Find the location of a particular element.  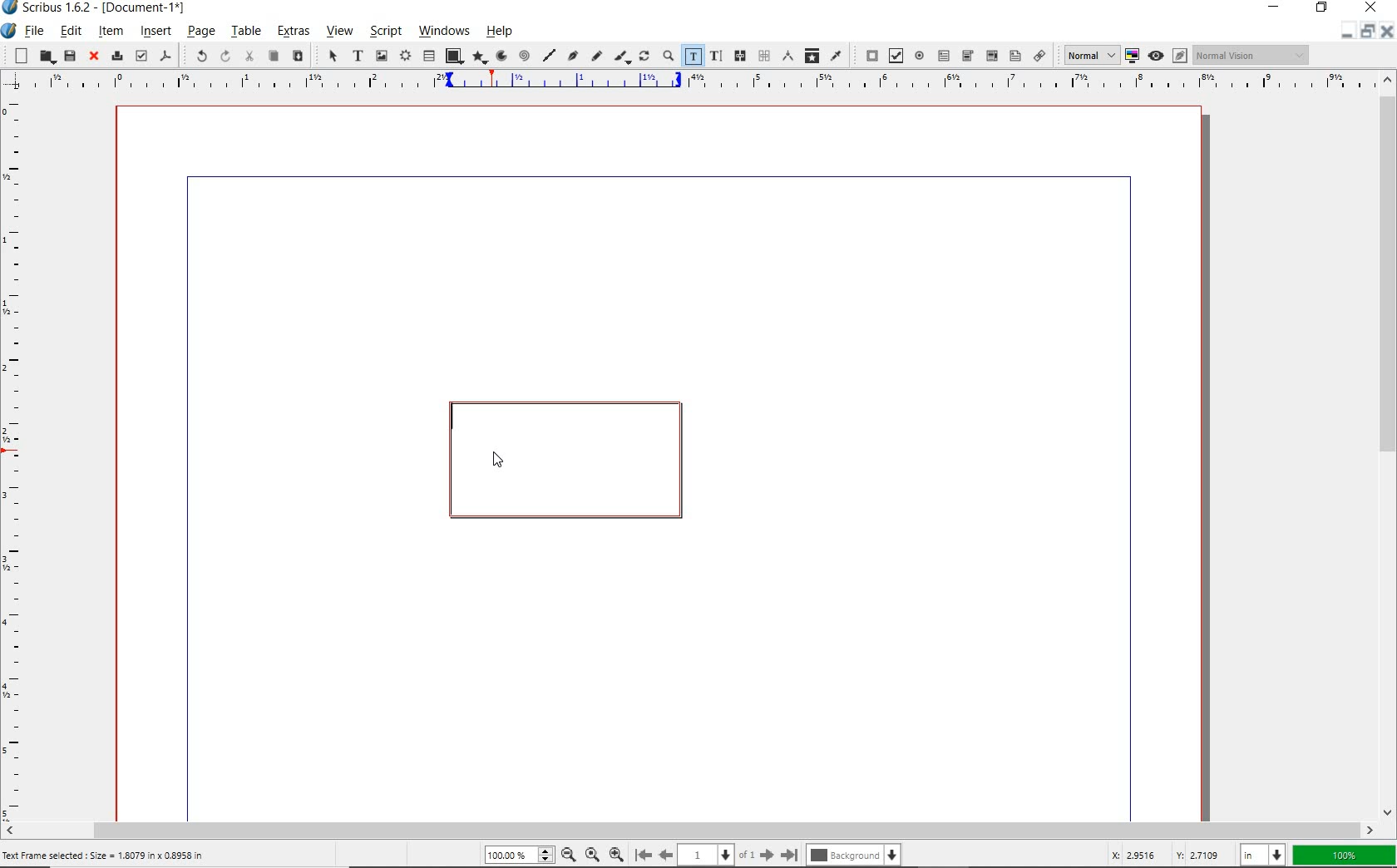

paste is located at coordinates (299, 57).